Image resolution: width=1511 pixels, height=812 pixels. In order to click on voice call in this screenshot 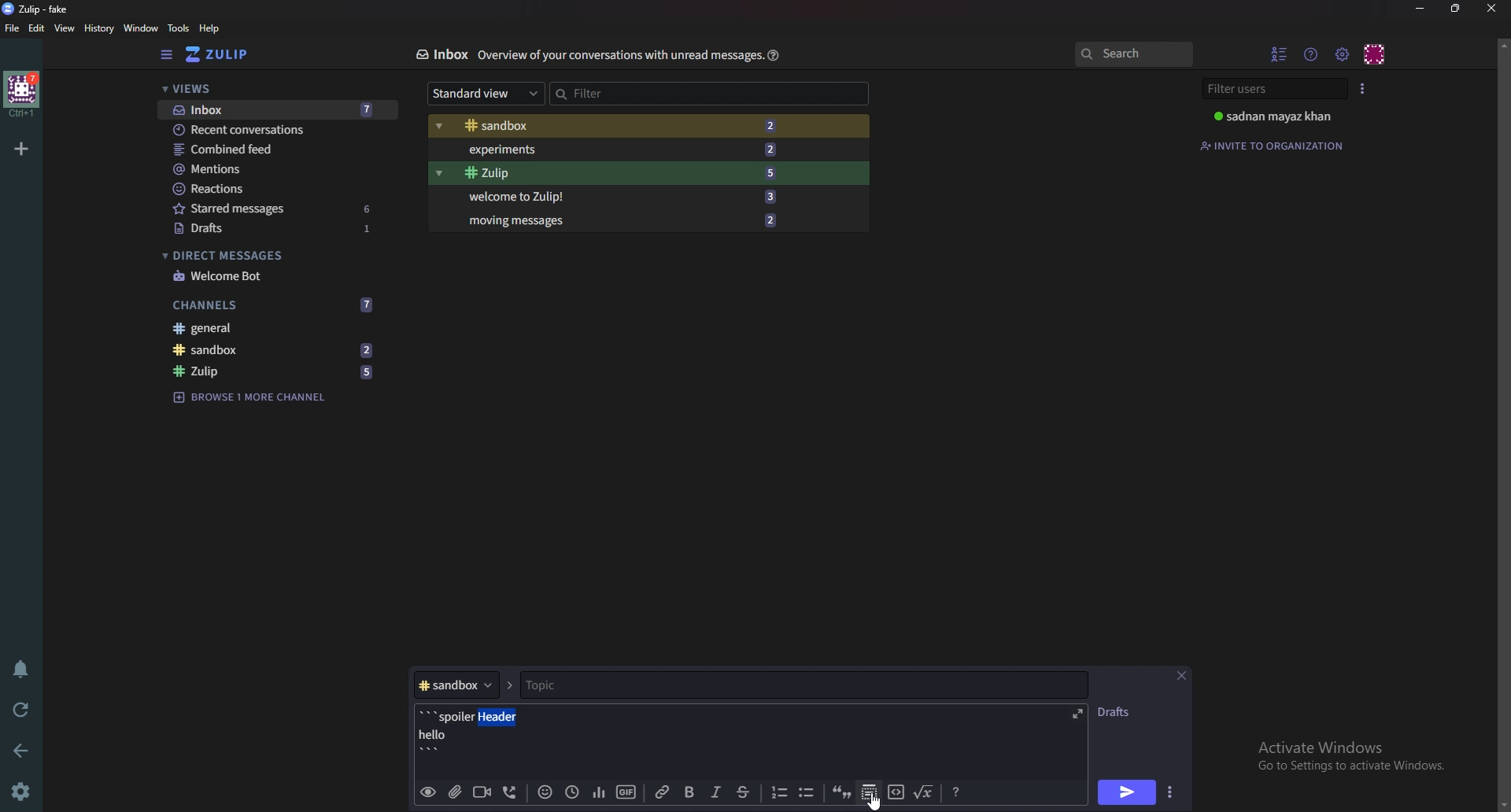, I will do `click(514, 793)`.